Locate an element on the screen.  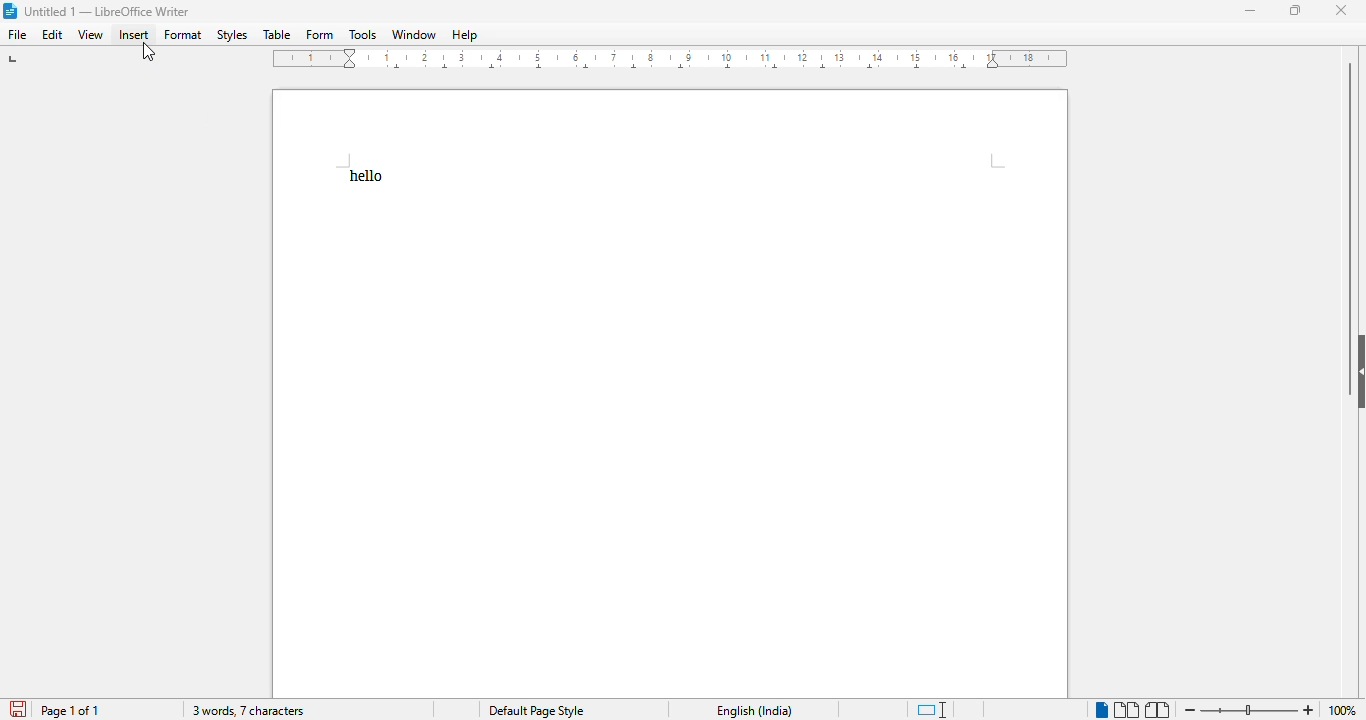
zoom in or zoom out bar is located at coordinates (1248, 710).